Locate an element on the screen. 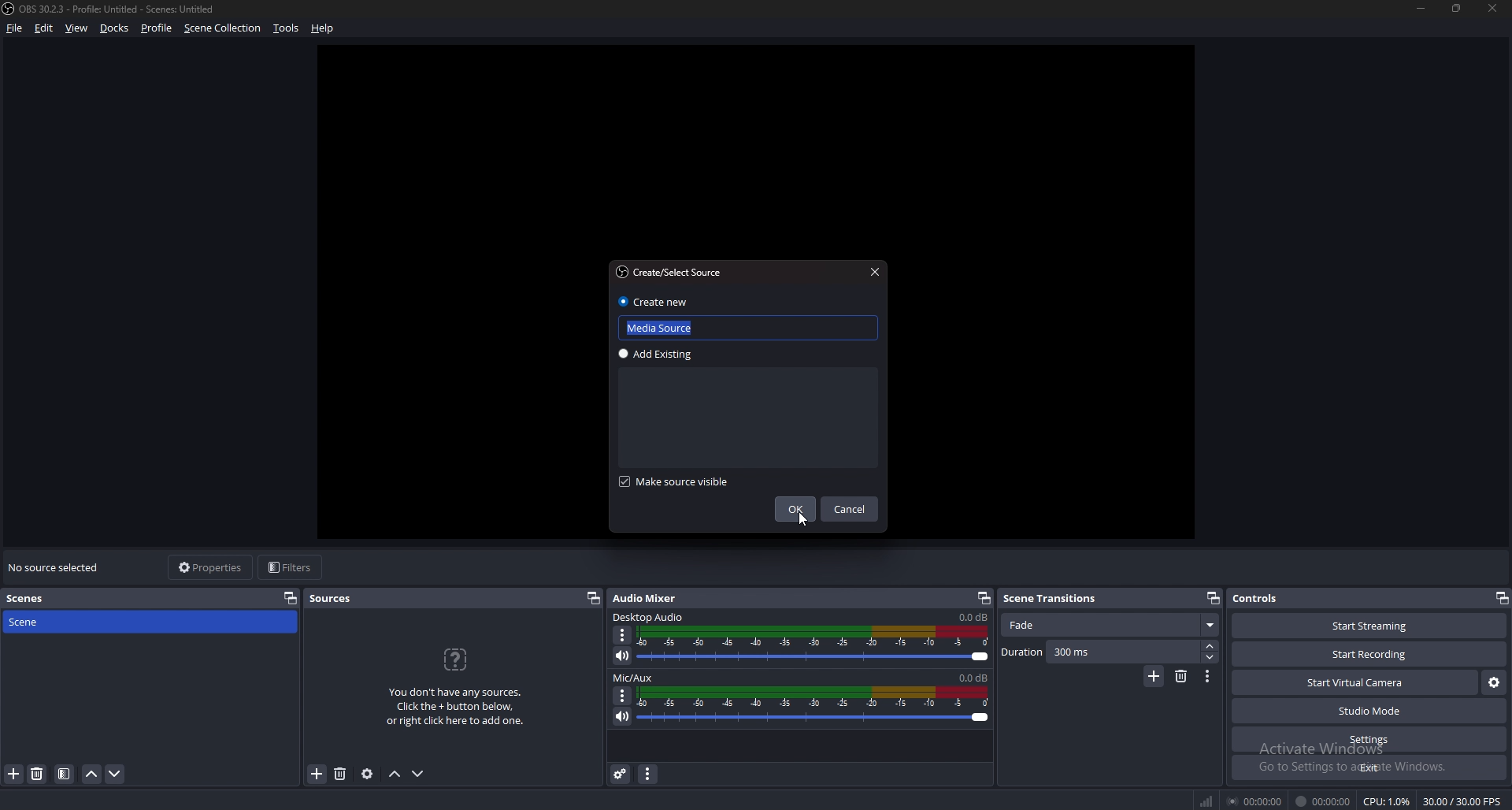  help is located at coordinates (323, 28).